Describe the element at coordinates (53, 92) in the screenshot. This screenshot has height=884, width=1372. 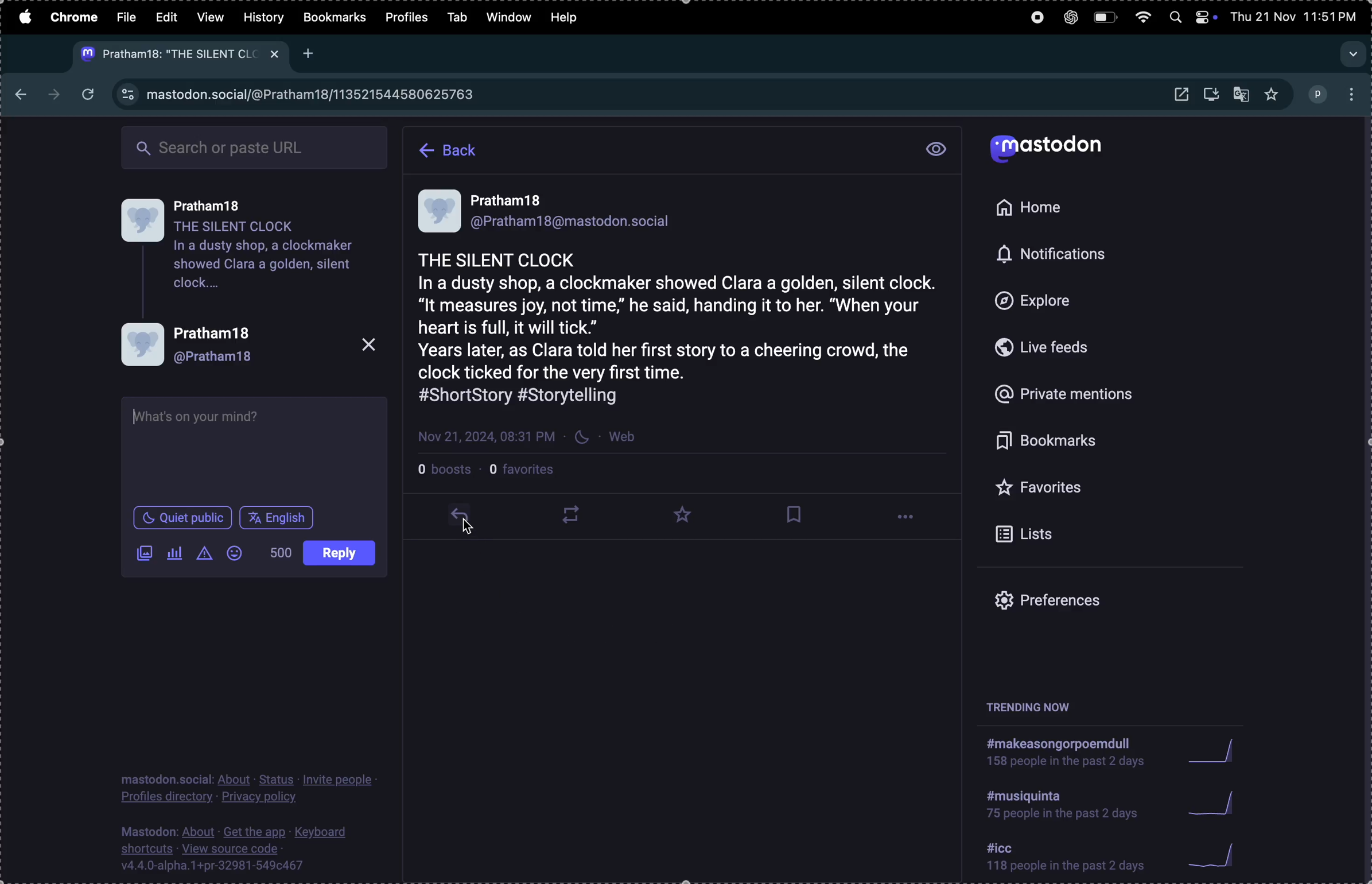
I see `next page` at that location.